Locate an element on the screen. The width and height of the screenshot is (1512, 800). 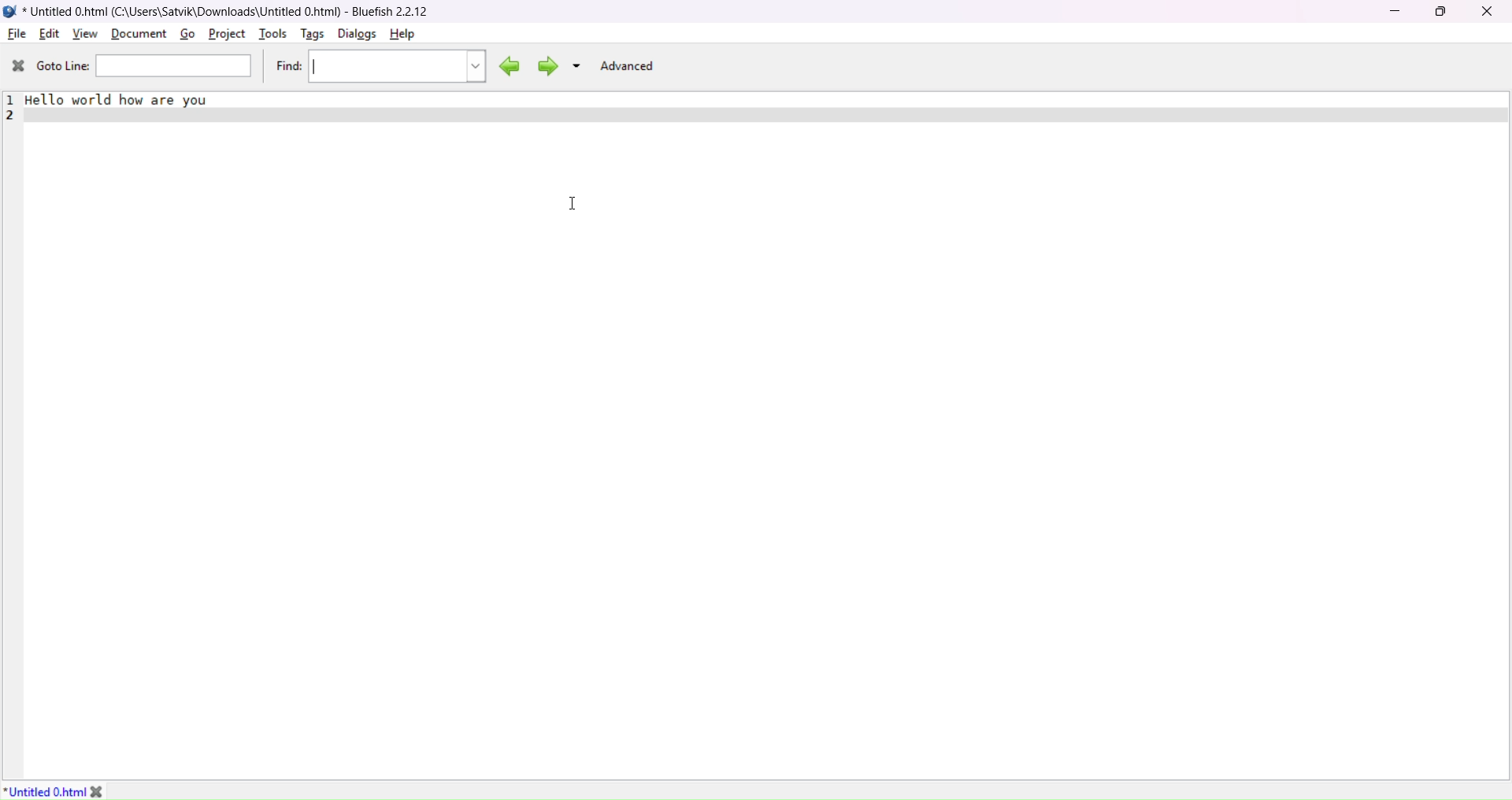
* Untitled 0.html (C:\Users\Satvik\Downloads\Untitled 0.html) - Bluefish 2.2.12 is located at coordinates (232, 9).